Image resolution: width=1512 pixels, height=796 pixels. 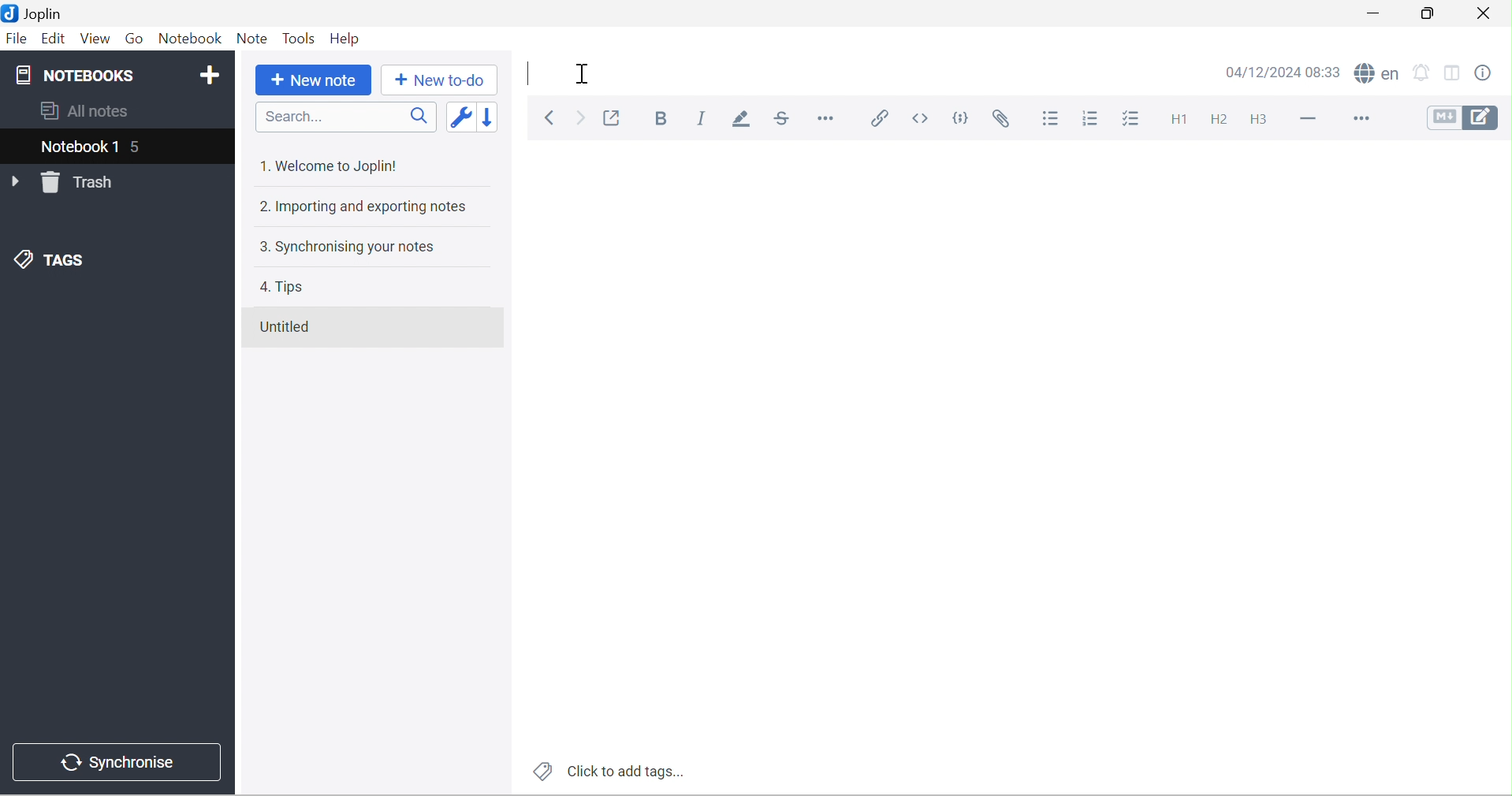 What do you see at coordinates (1309, 119) in the screenshot?
I see `Horizontal lines` at bounding box center [1309, 119].